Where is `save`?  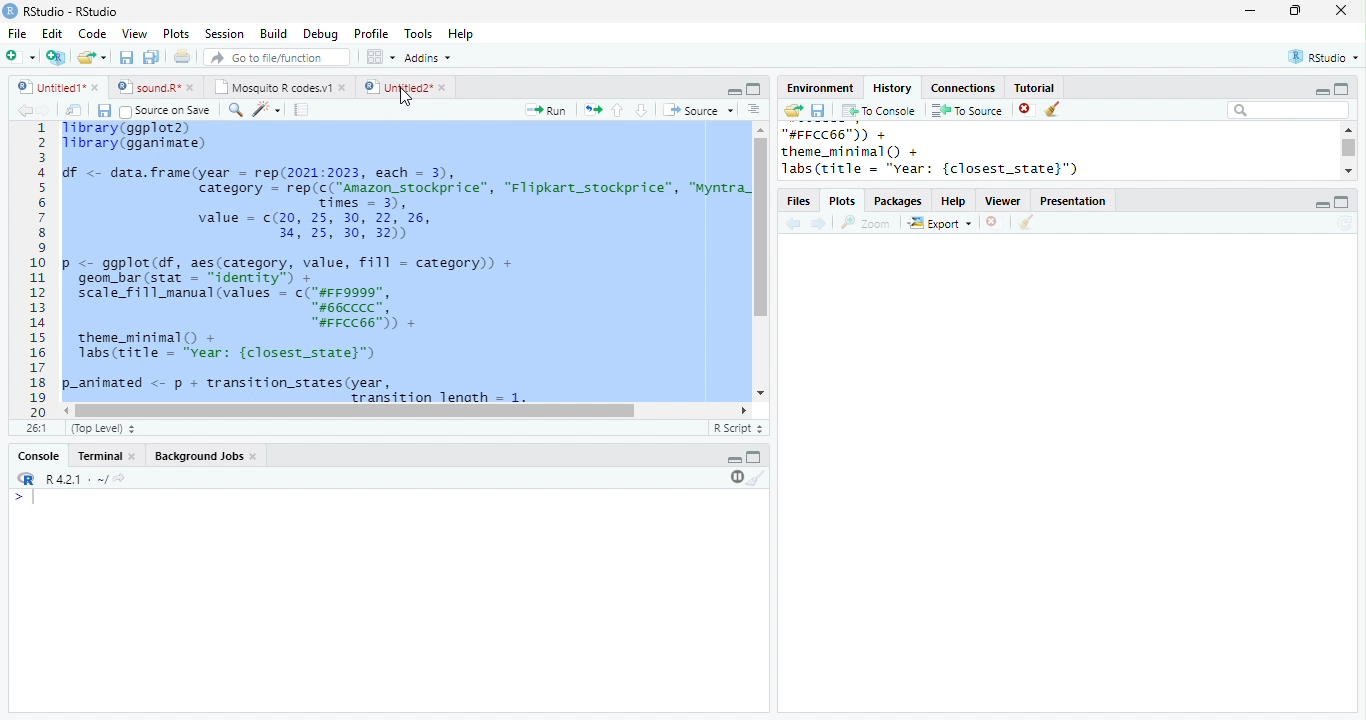
save is located at coordinates (126, 57).